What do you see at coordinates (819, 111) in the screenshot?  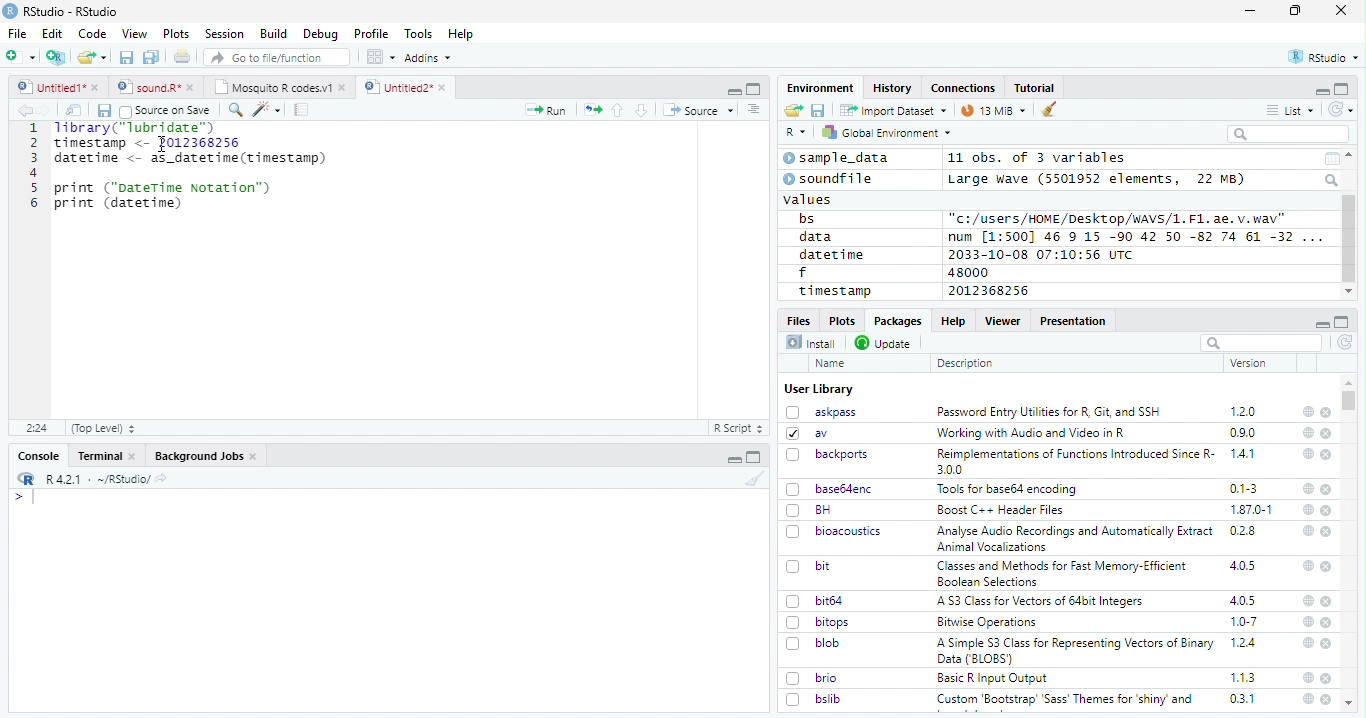 I see `Save` at bounding box center [819, 111].